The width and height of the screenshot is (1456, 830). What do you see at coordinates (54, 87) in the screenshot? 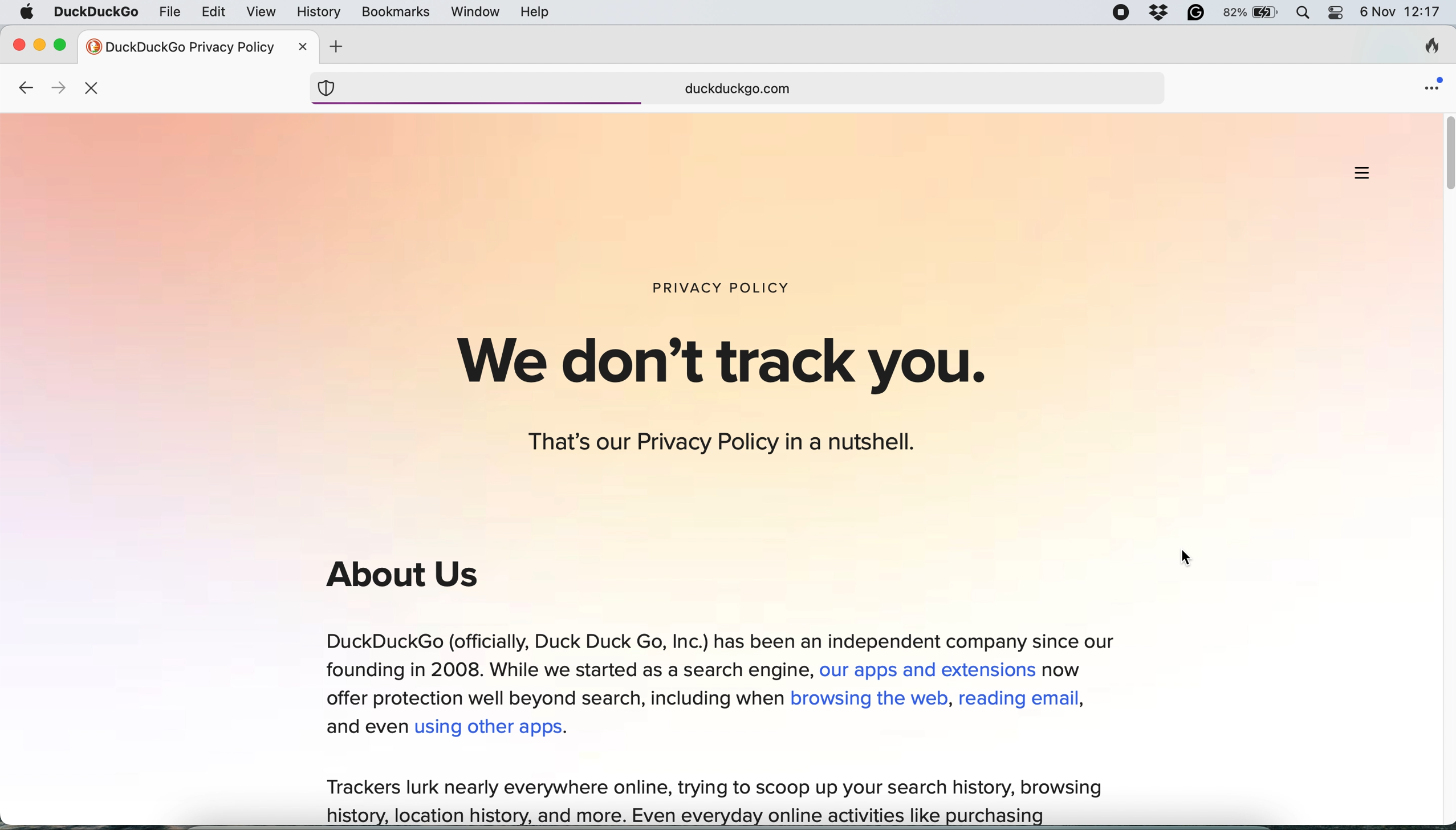
I see `go forward` at bounding box center [54, 87].